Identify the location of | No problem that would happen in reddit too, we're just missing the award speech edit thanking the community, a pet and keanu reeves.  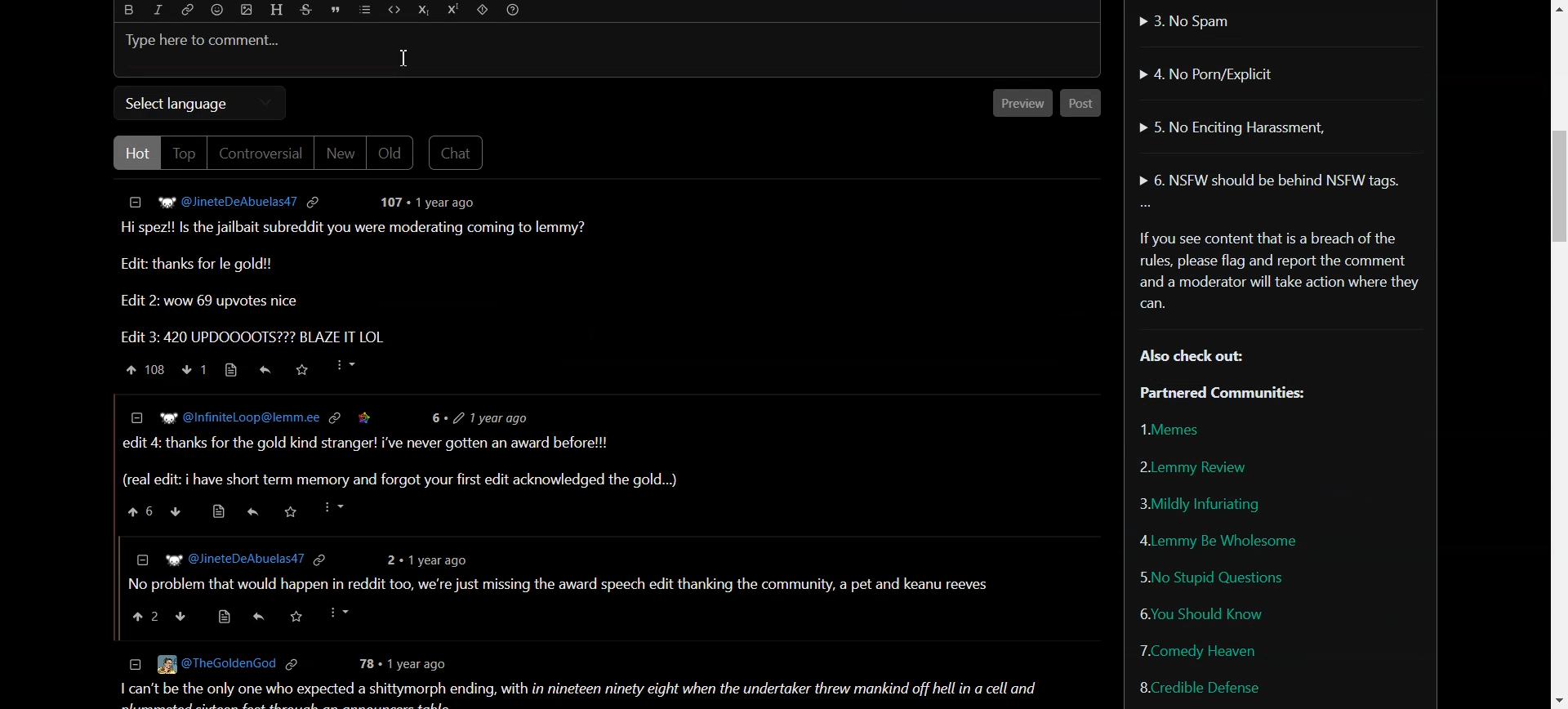
(560, 585).